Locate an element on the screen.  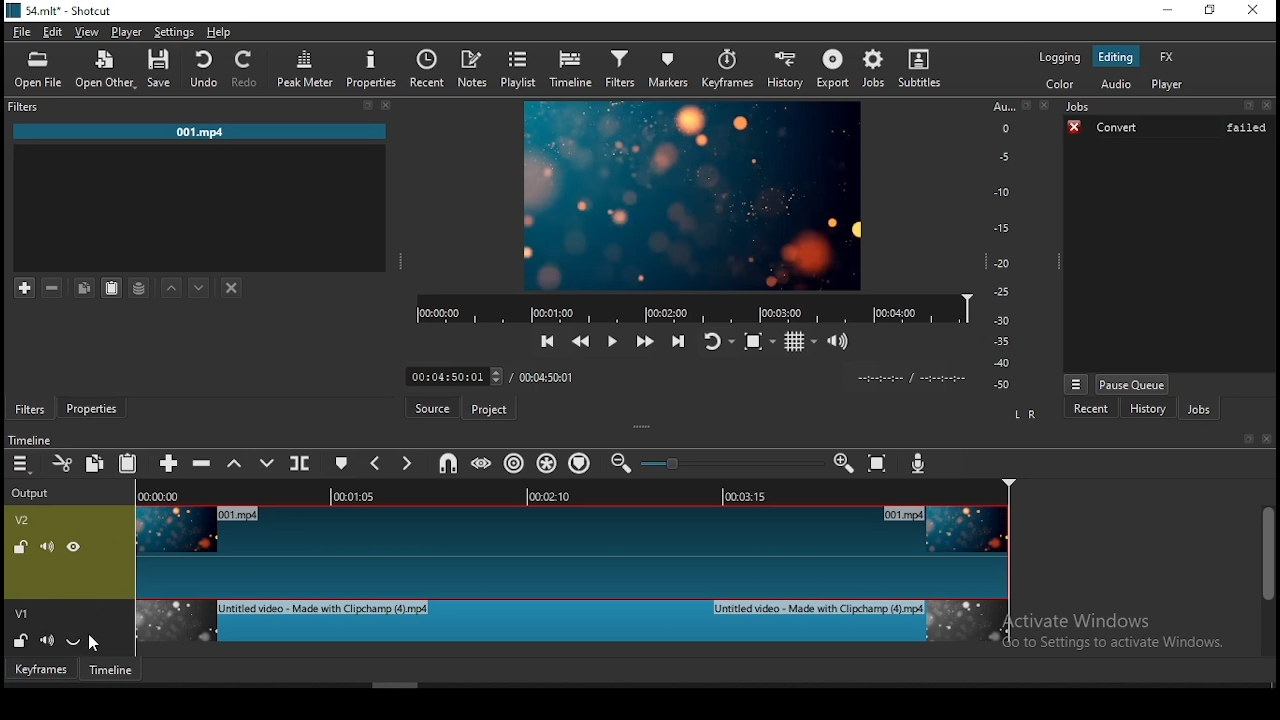
toggle player looping is located at coordinates (717, 343).